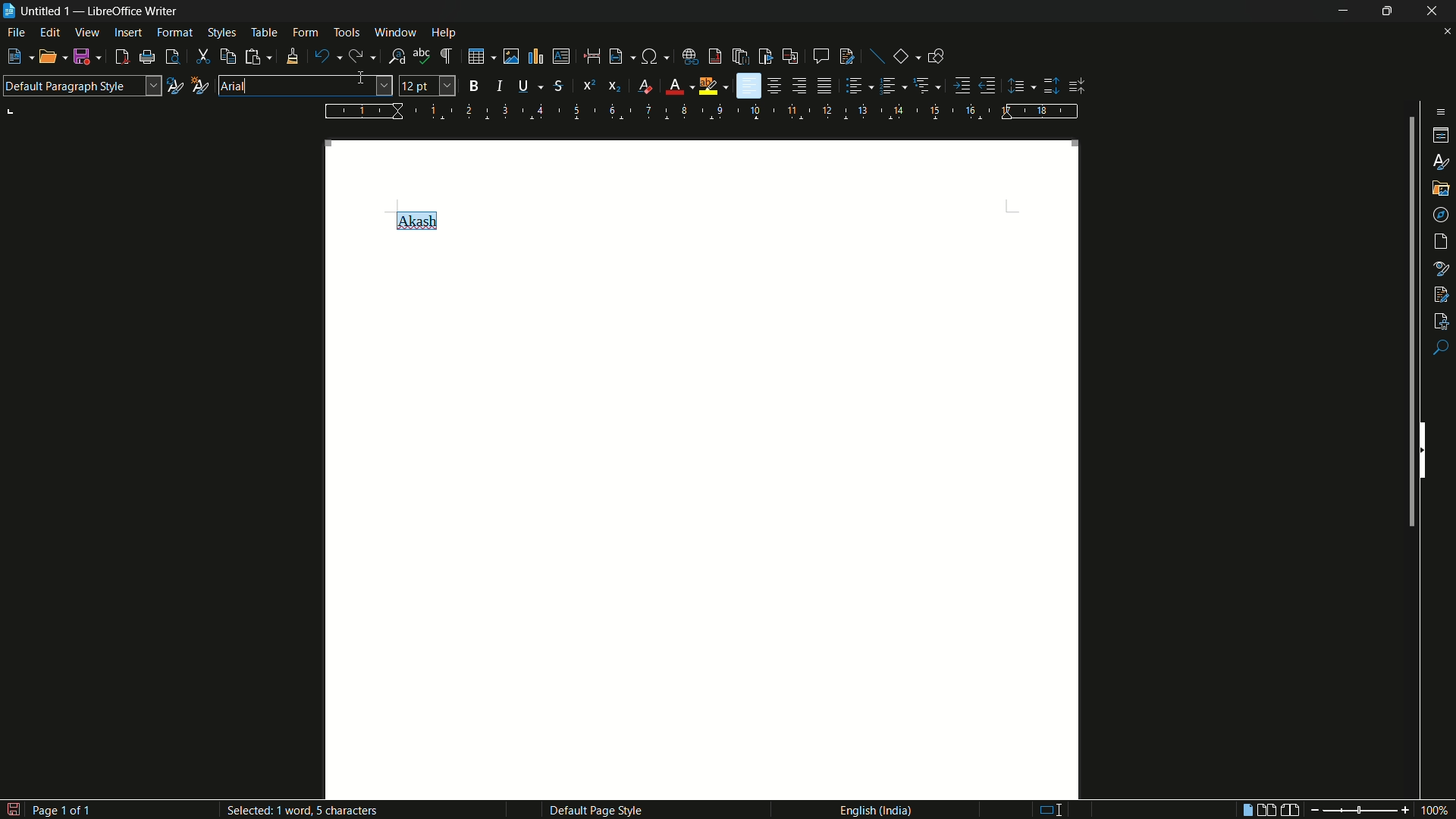 The width and height of the screenshot is (1456, 819). Describe the element at coordinates (36, 9) in the screenshot. I see `file name` at that location.